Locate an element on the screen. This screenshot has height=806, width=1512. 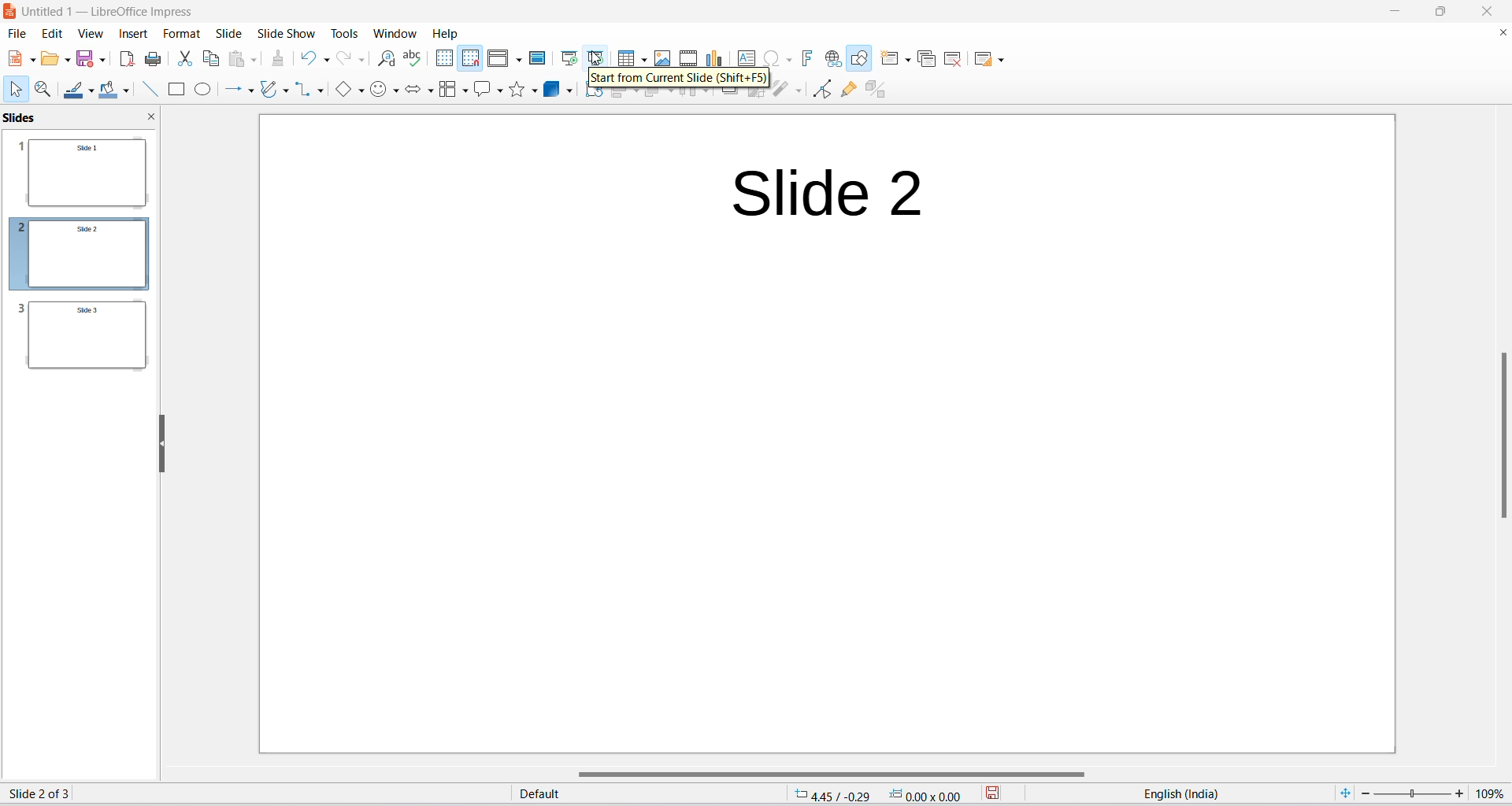
find and replace is located at coordinates (387, 60).